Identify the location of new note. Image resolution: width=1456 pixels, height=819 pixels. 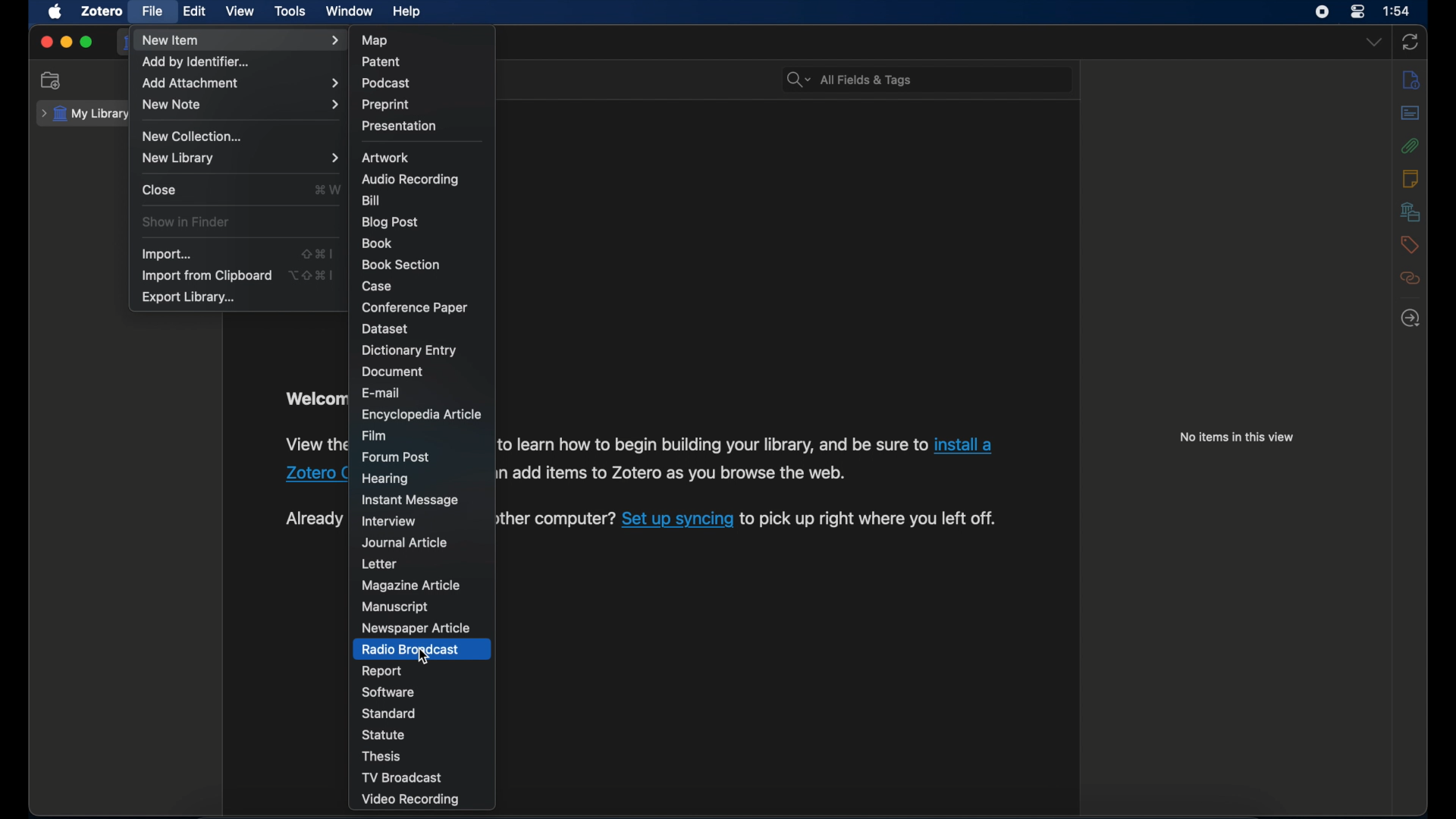
(238, 105).